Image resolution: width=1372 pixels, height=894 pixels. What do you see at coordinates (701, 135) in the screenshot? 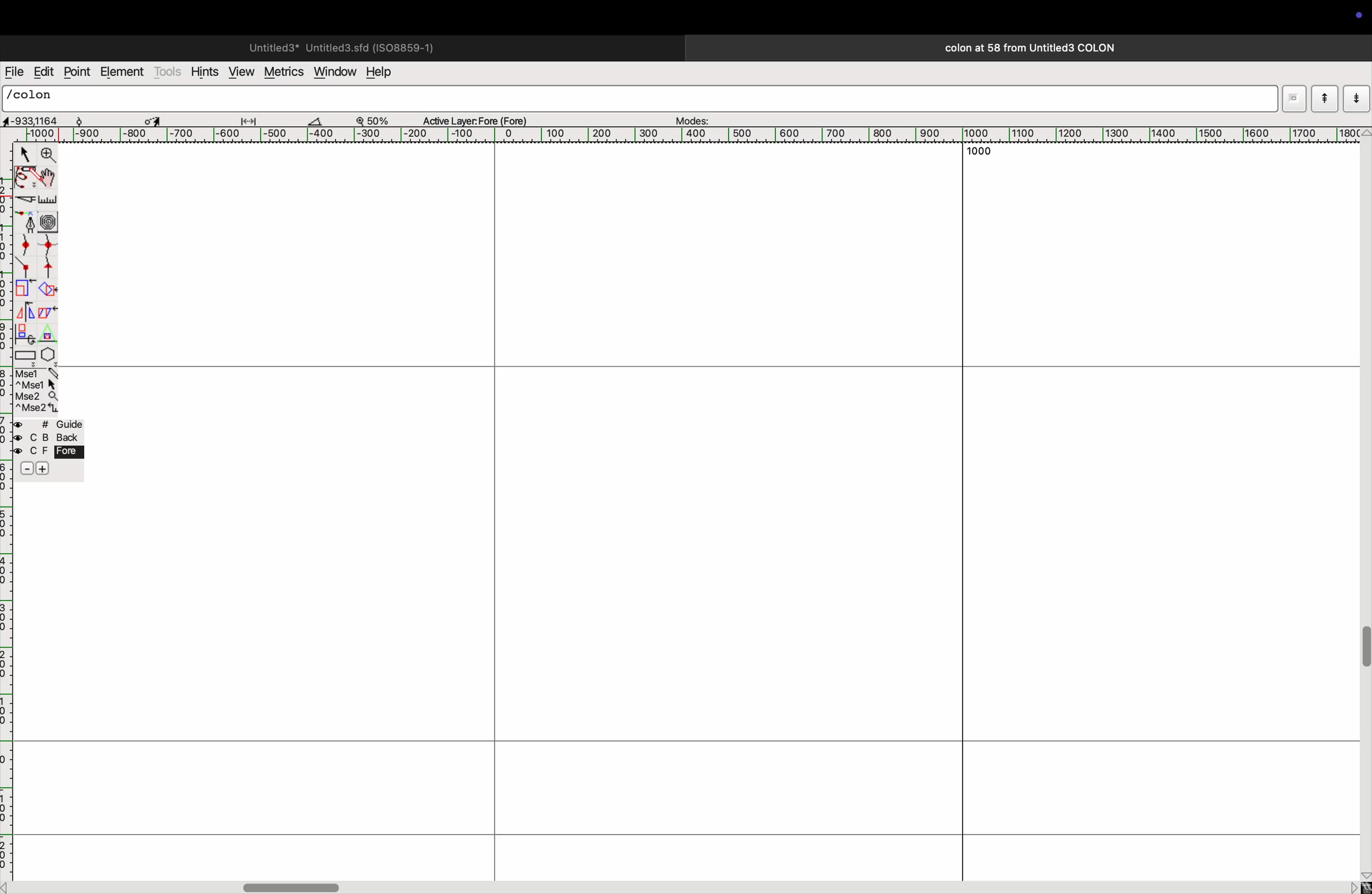
I see `horizontal scale` at bounding box center [701, 135].